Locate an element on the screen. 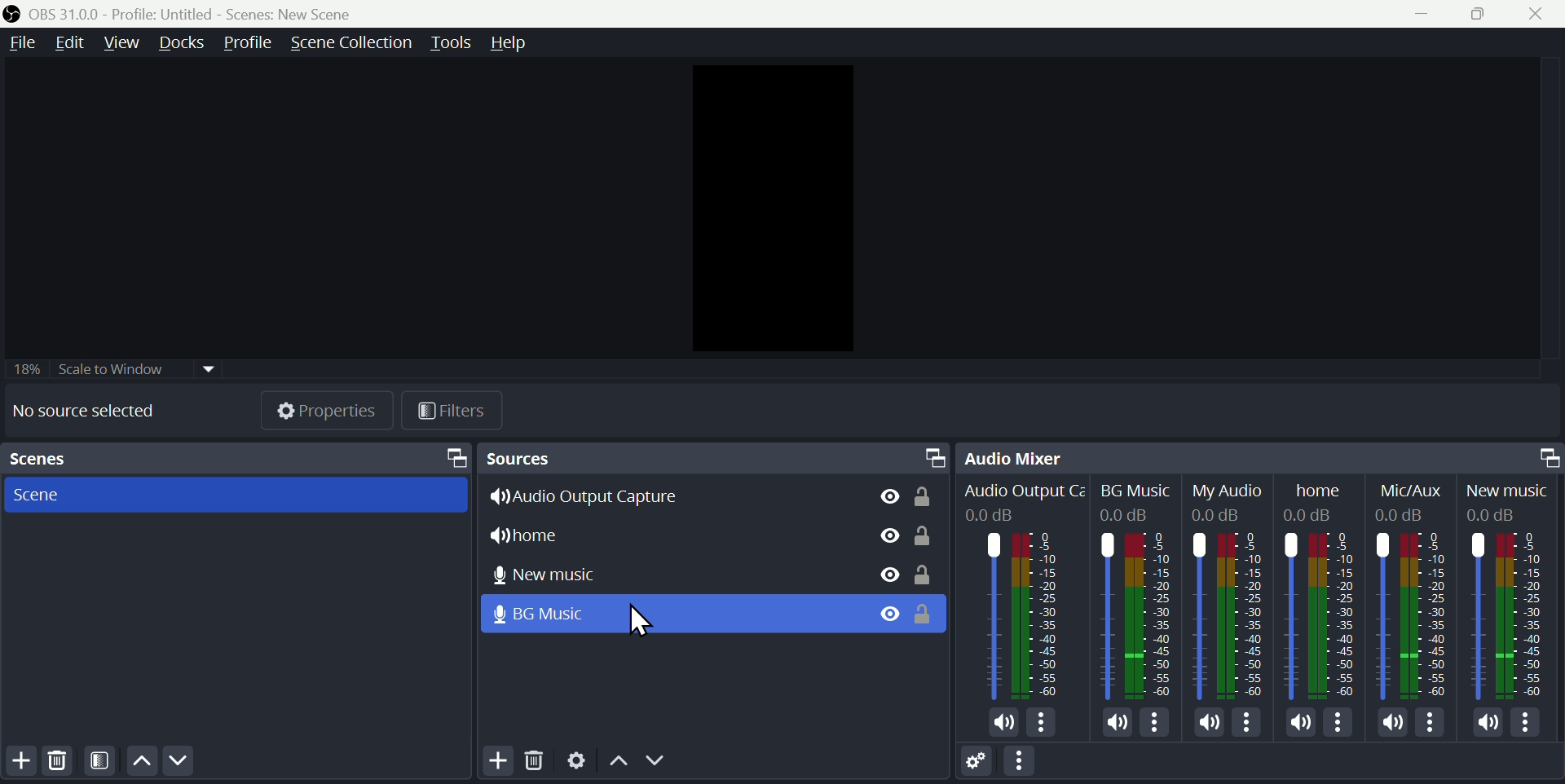  Down is located at coordinates (681, 765).